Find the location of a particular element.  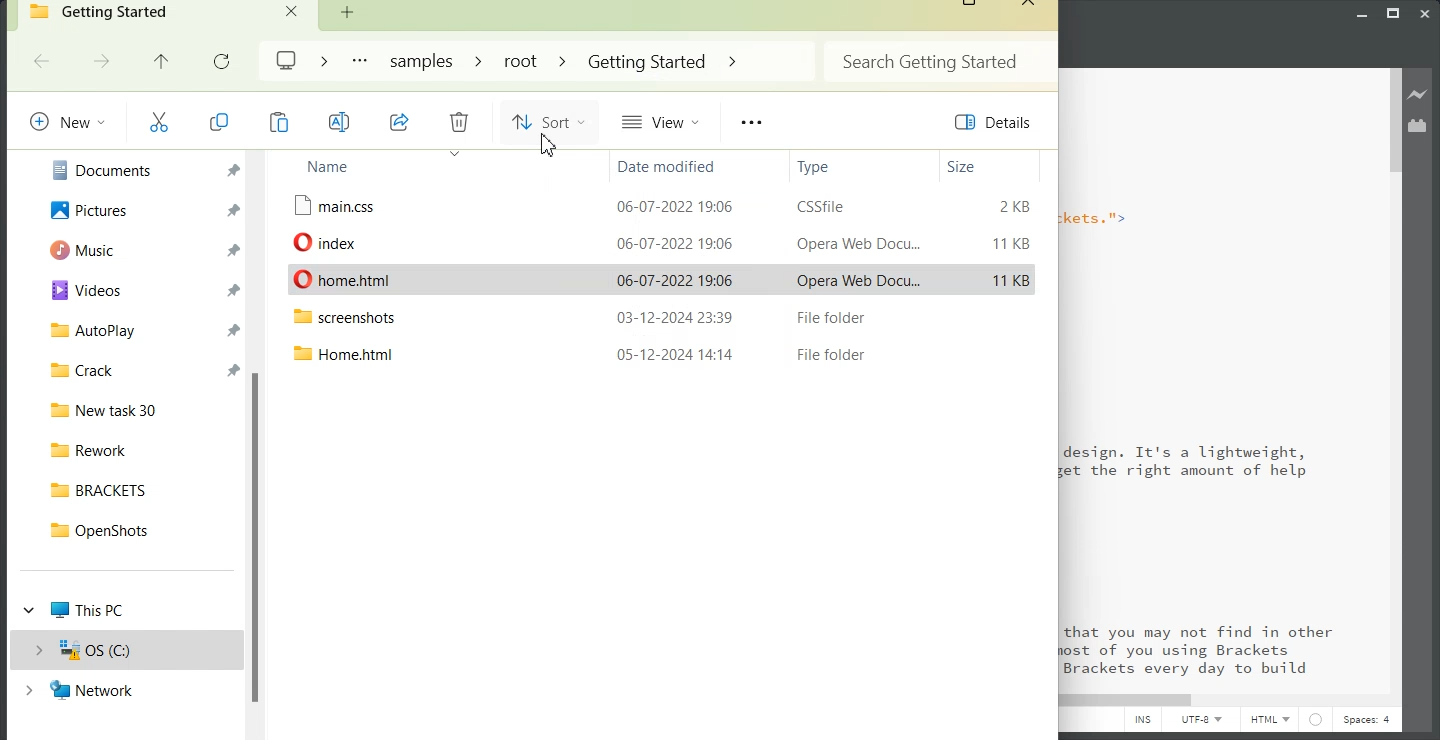

Documents is located at coordinates (136, 168).